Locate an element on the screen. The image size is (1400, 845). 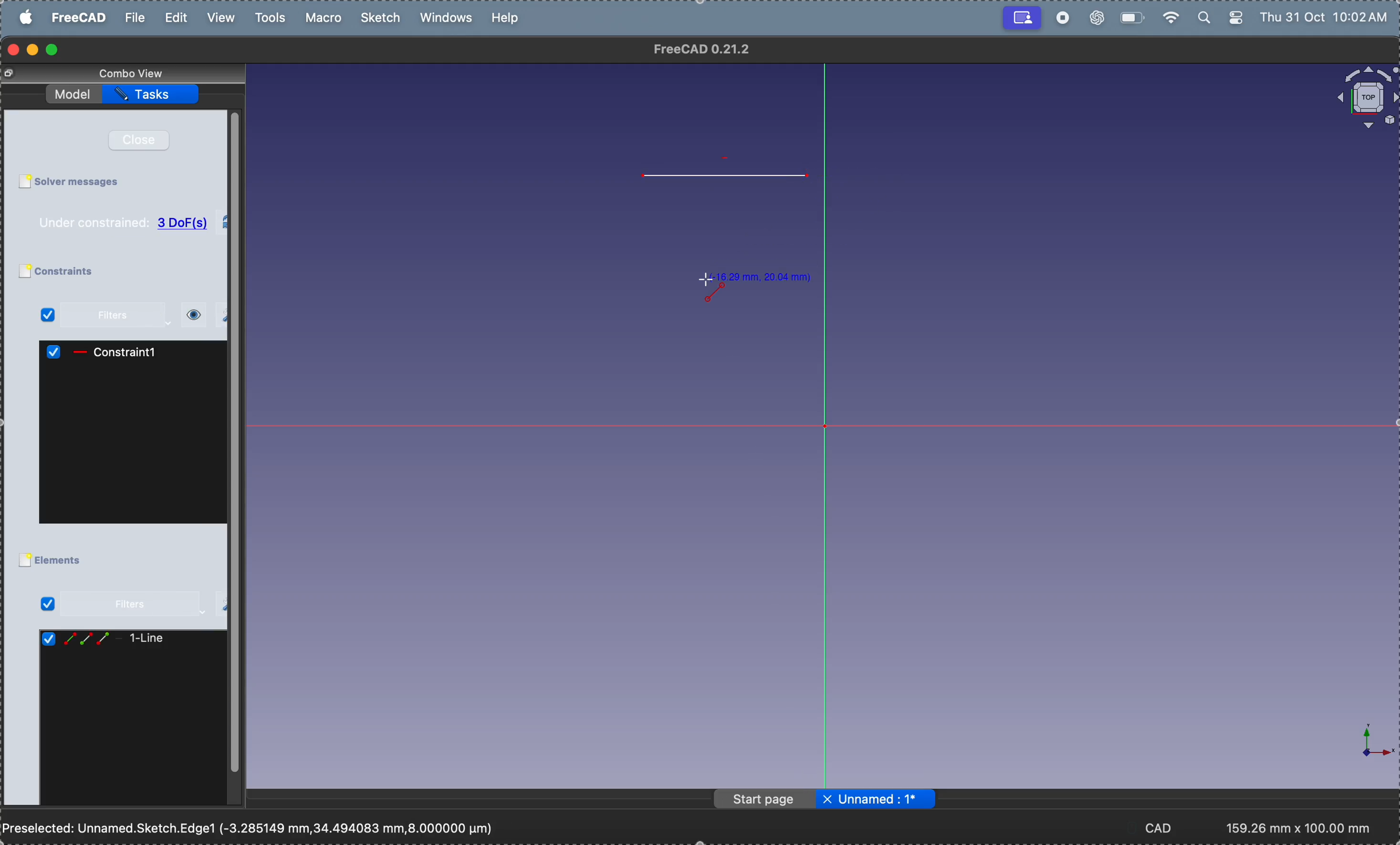
(16.29 mm, 20.04 mm) is located at coordinates (763, 277).